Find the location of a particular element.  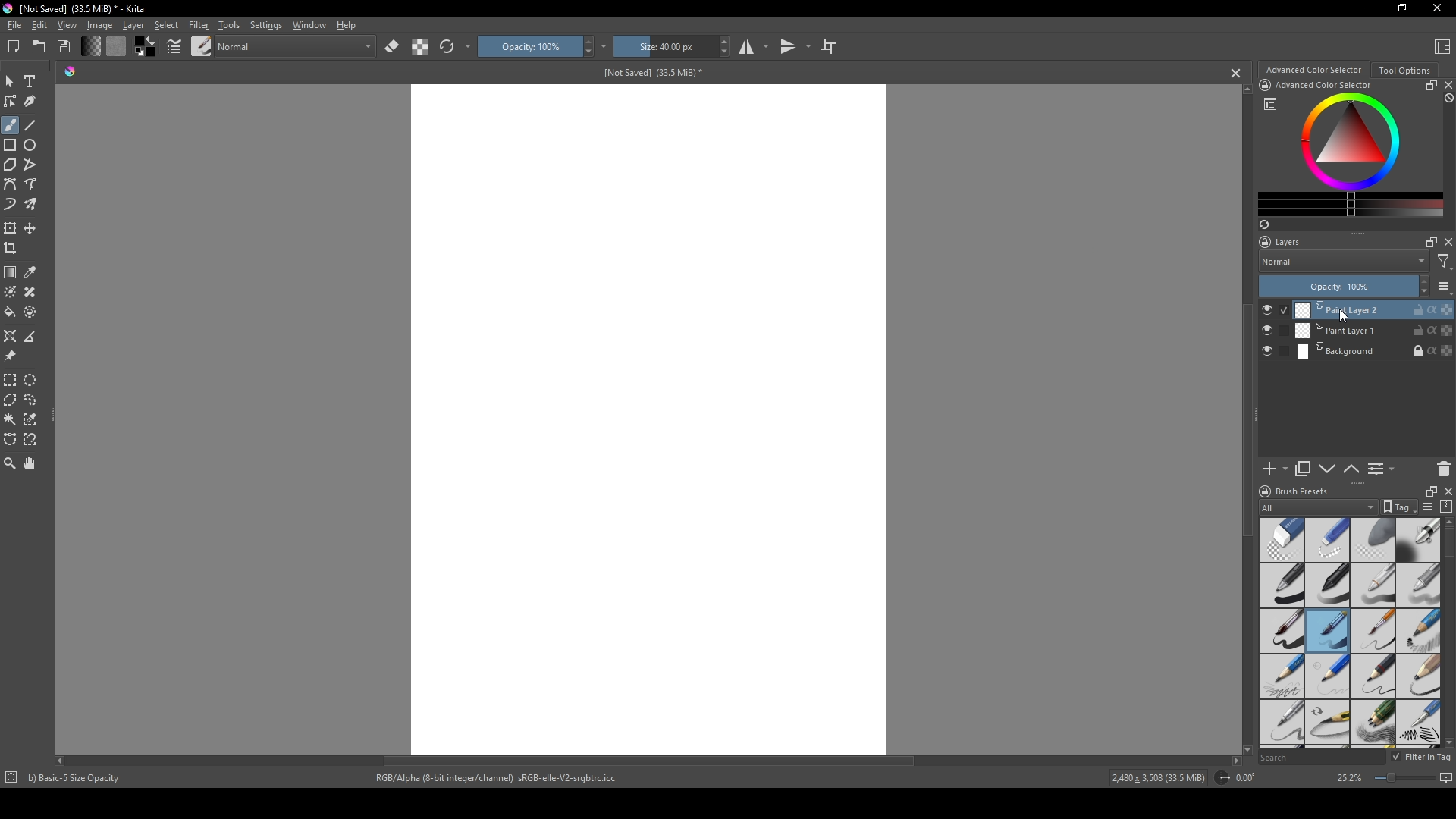

25.2% is located at coordinates (1348, 779).